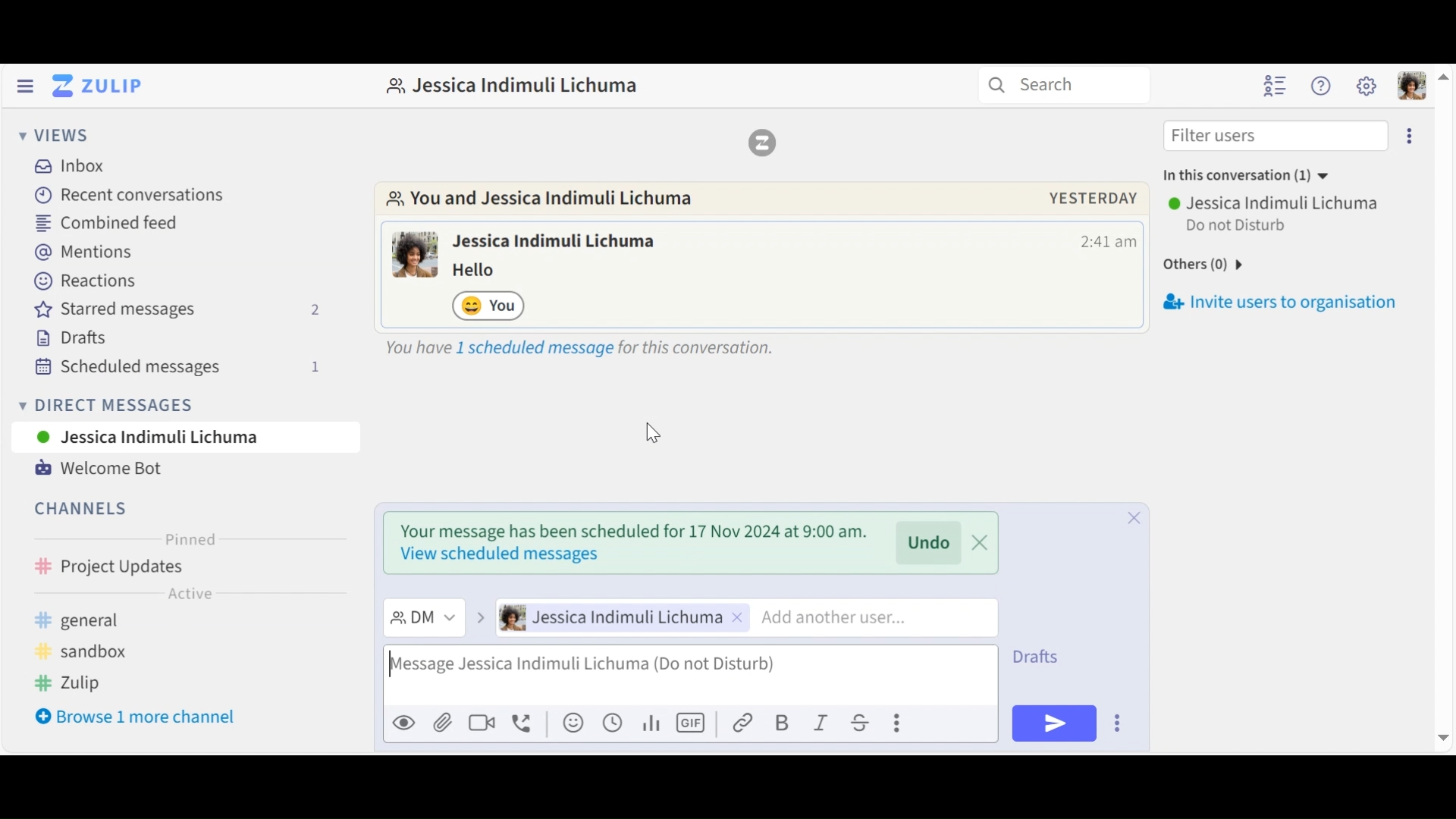  Describe the element at coordinates (1409, 85) in the screenshot. I see `Personal menu` at that location.